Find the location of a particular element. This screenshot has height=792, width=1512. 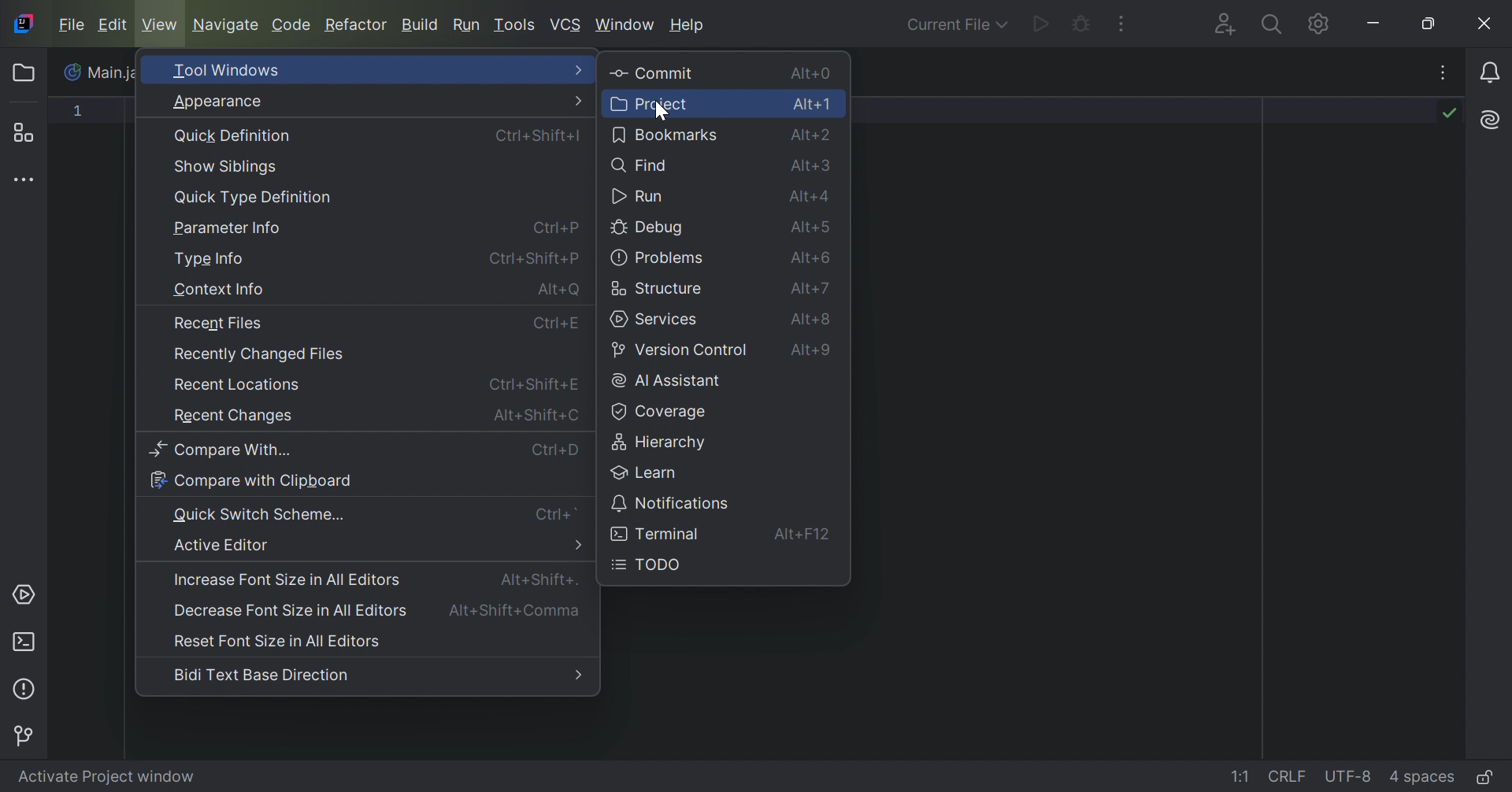

AI Assistant is located at coordinates (1488, 120).